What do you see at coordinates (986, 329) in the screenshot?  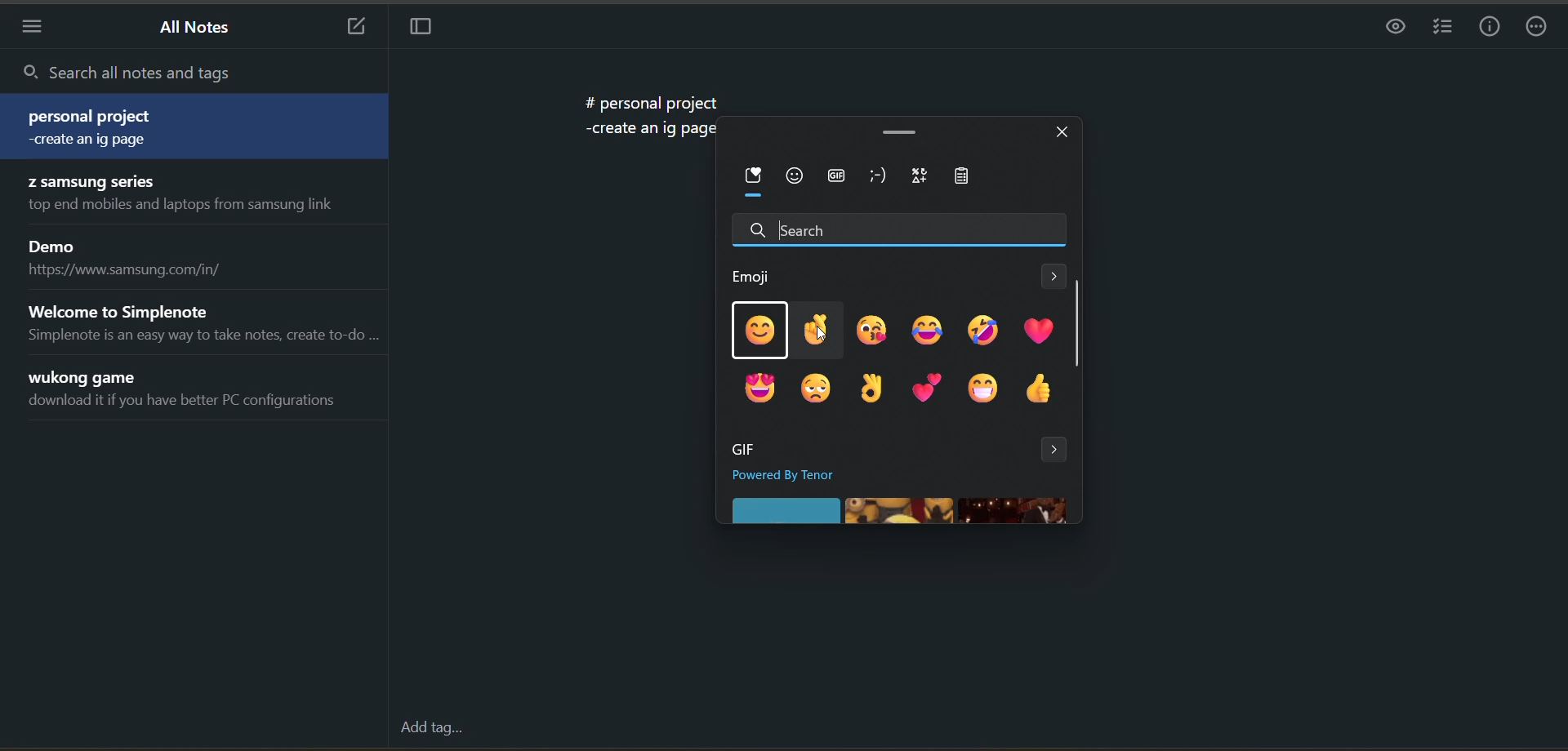 I see `emoji 5` at bounding box center [986, 329].